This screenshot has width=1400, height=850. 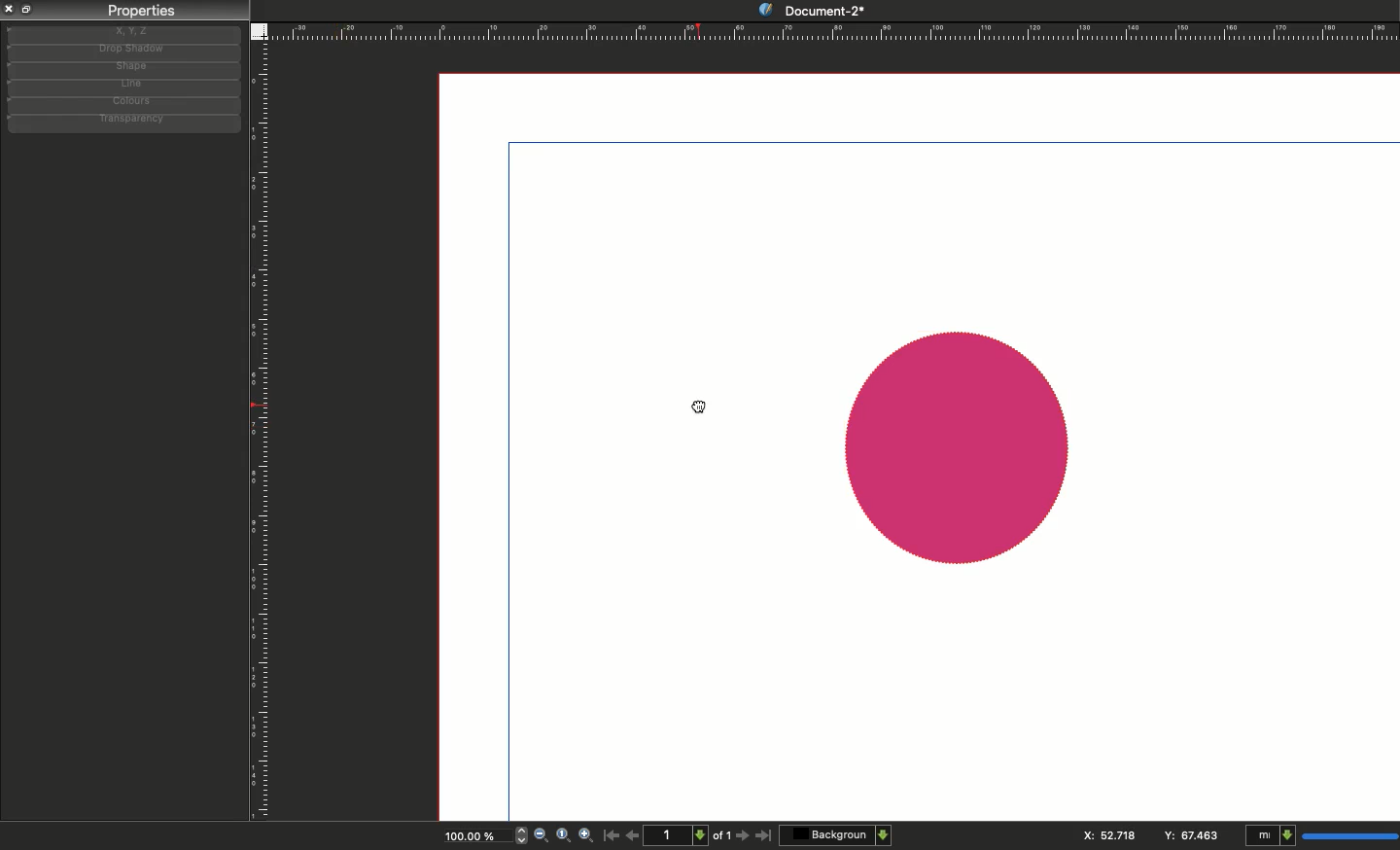 I want to click on of 1, so click(x=722, y=838).